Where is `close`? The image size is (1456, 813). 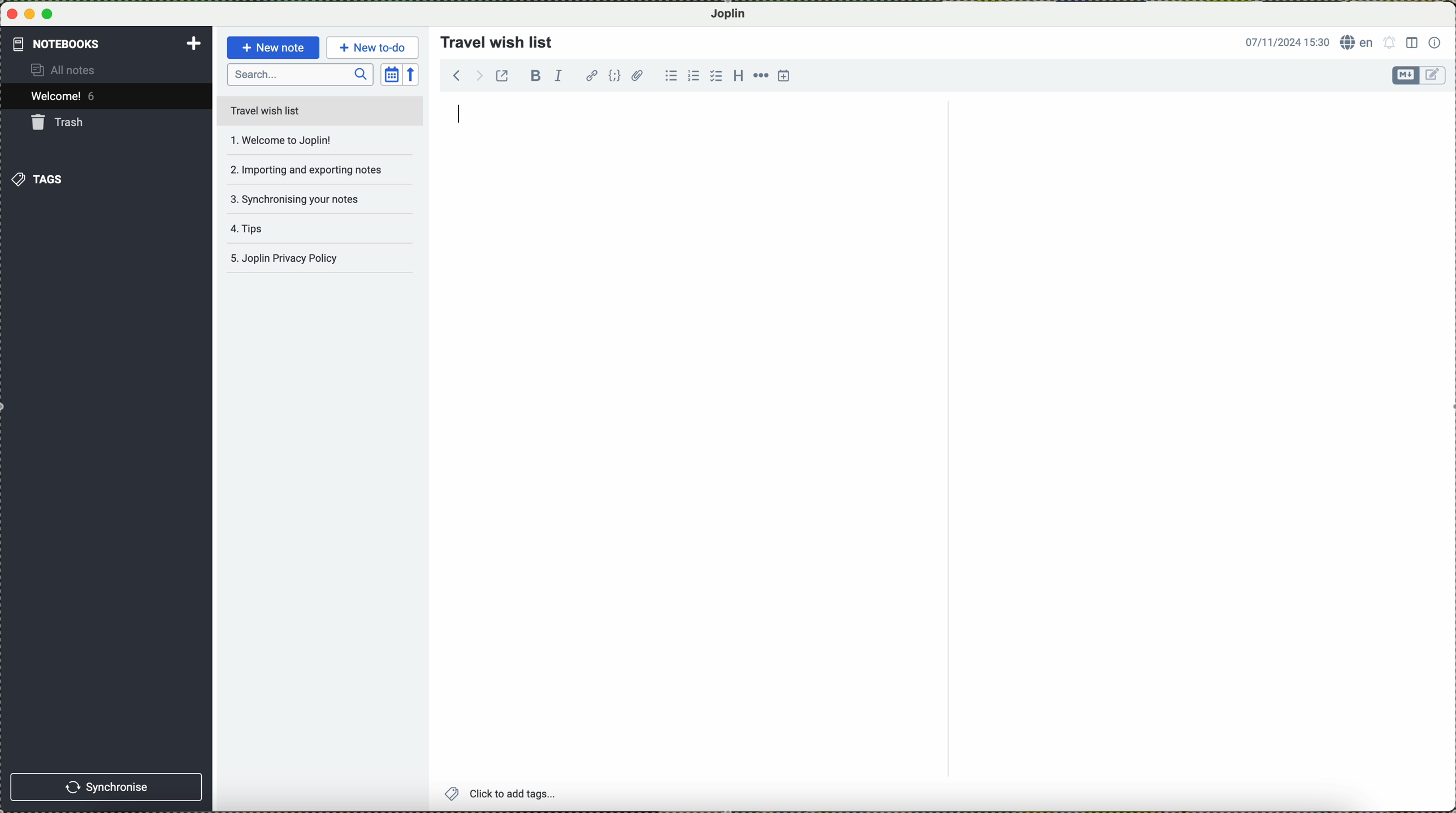
close is located at coordinates (11, 15).